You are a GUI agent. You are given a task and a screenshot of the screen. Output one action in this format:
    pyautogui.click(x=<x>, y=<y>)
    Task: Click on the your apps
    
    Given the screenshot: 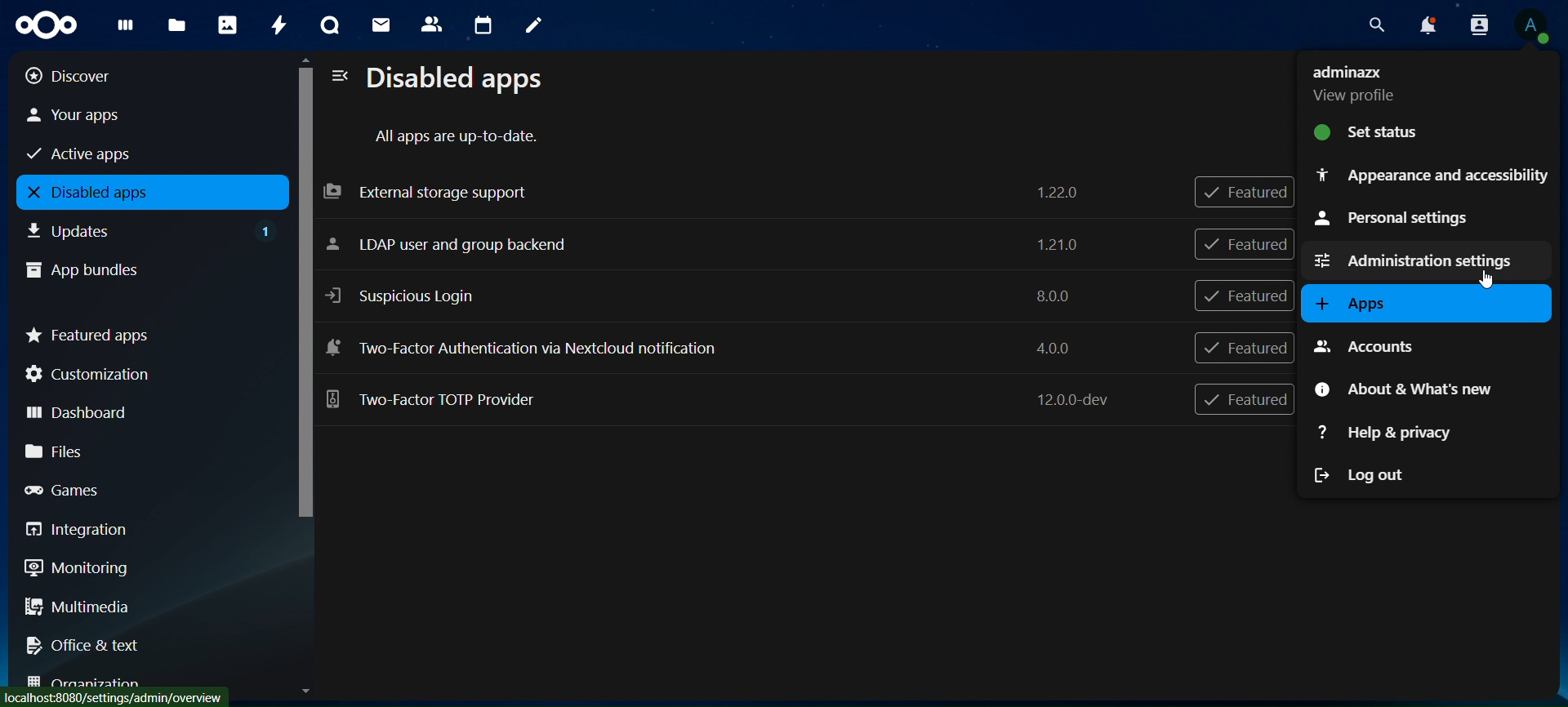 What is the action you would take?
    pyautogui.click(x=132, y=115)
    